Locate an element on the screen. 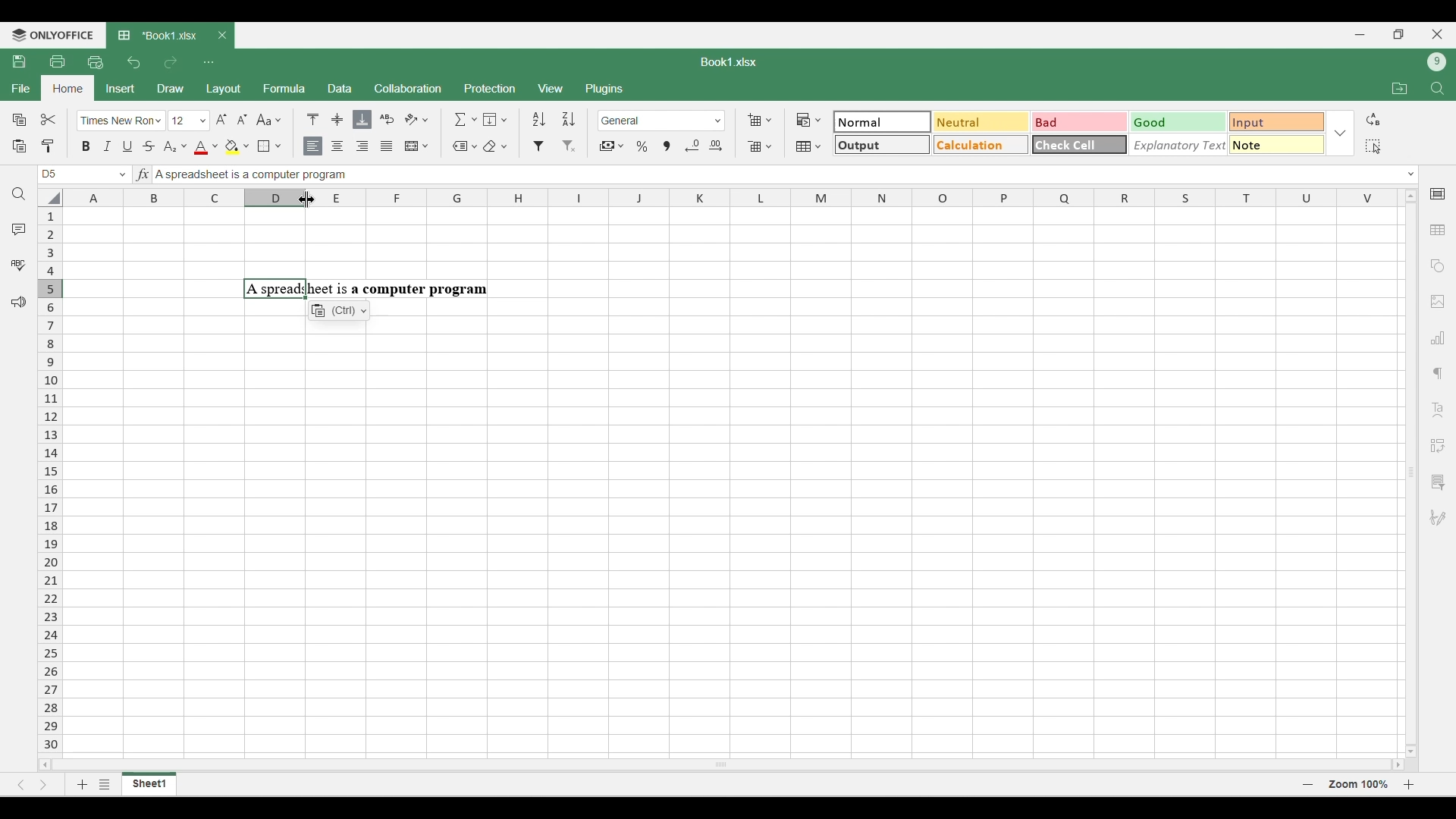  Insert shape is located at coordinates (1436, 266).